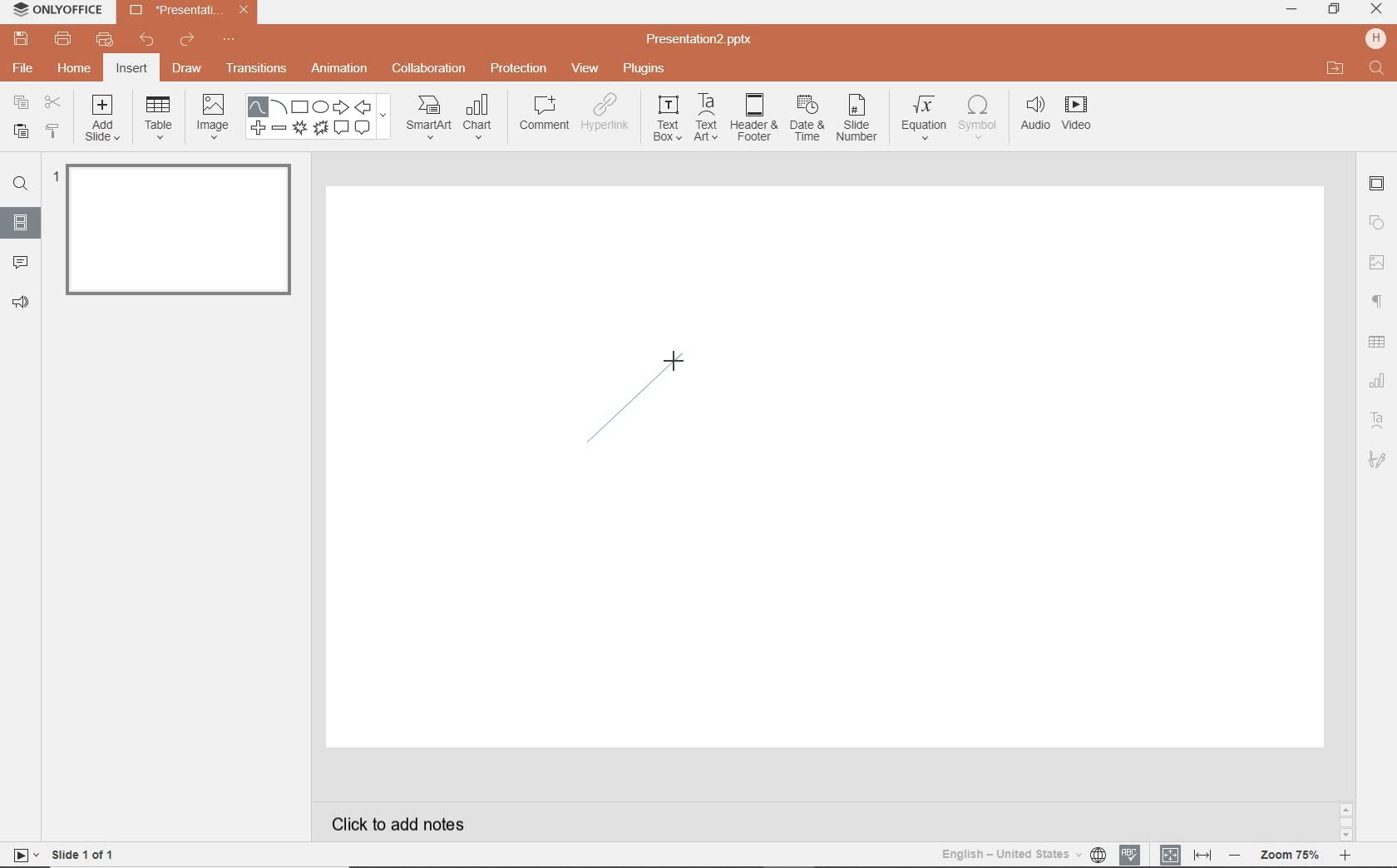 The image size is (1397, 868). What do you see at coordinates (701, 42) in the screenshot?
I see `Presentation2.pptx` at bounding box center [701, 42].